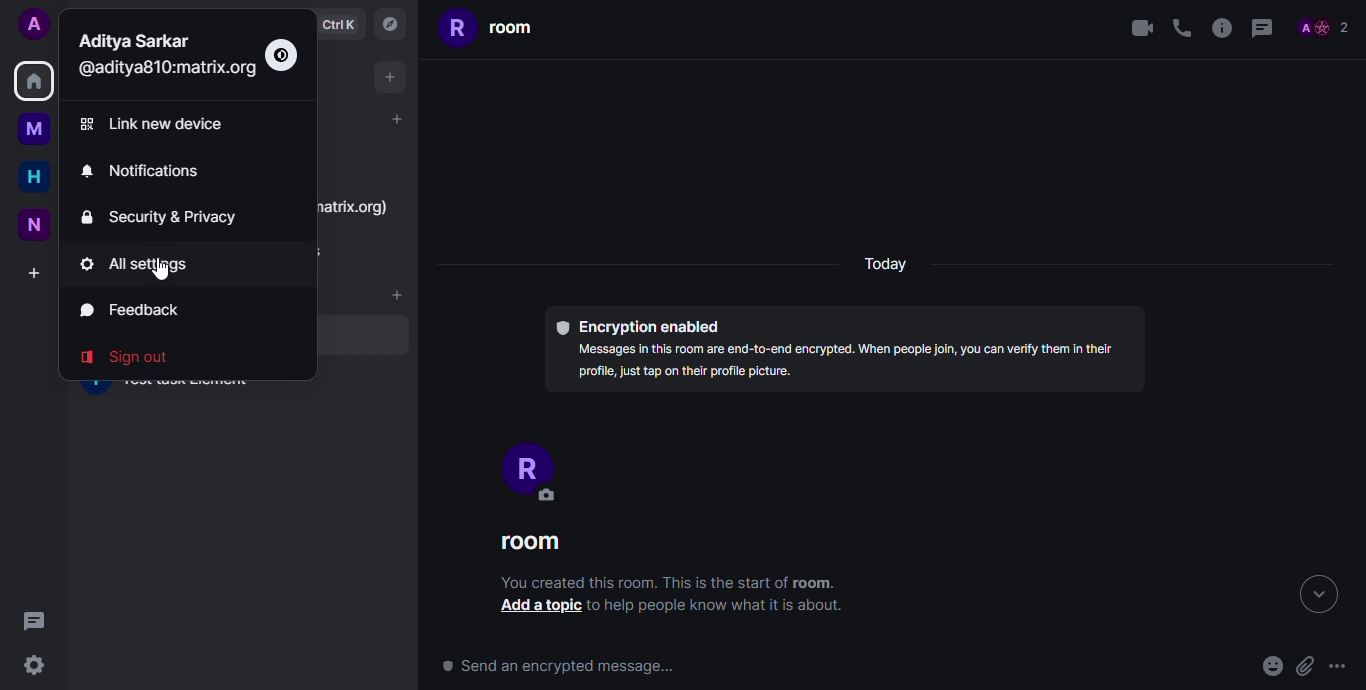 The height and width of the screenshot is (690, 1366). Describe the element at coordinates (1220, 29) in the screenshot. I see `info` at that location.